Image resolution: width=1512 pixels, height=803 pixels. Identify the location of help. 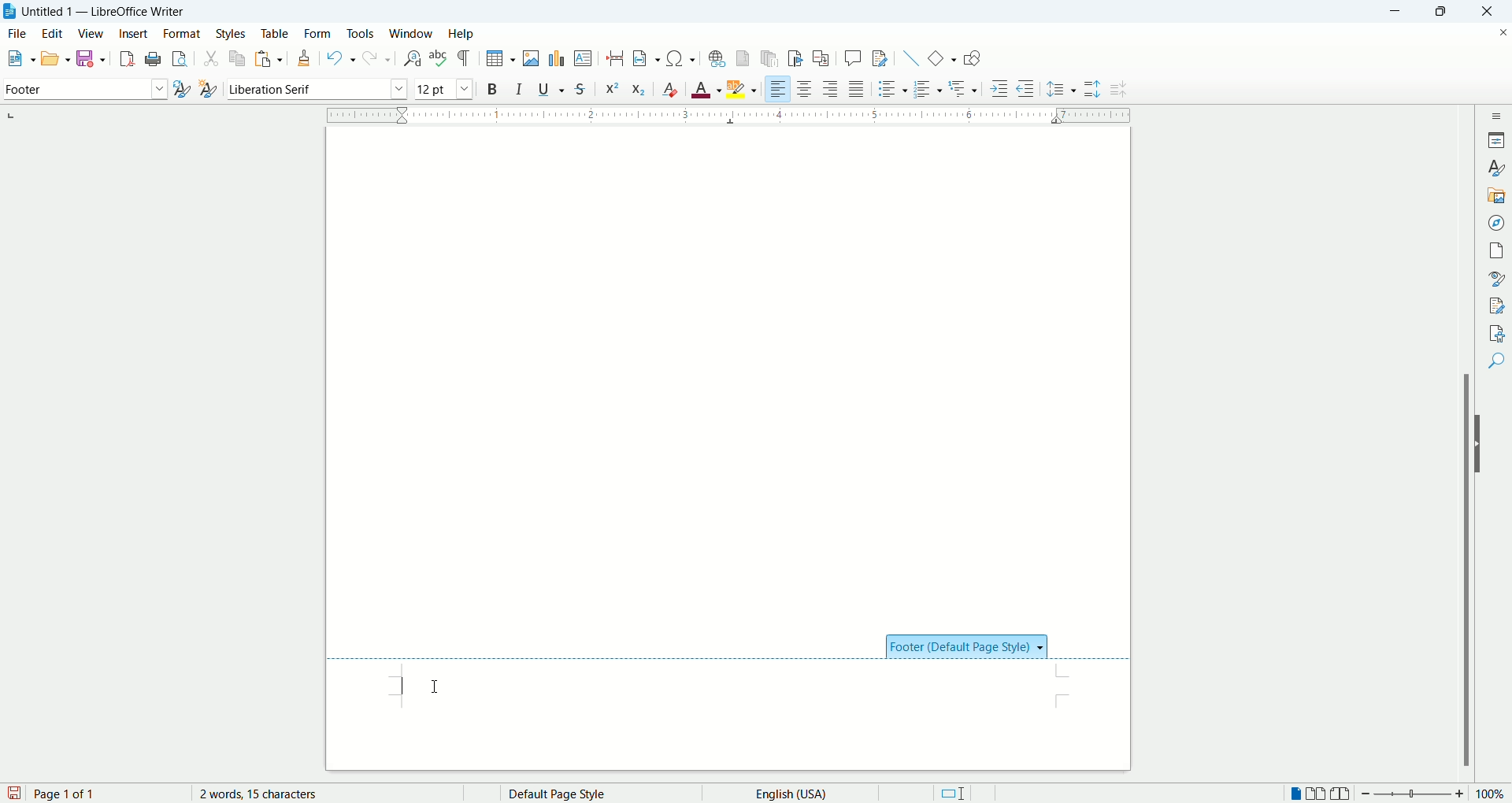
(461, 34).